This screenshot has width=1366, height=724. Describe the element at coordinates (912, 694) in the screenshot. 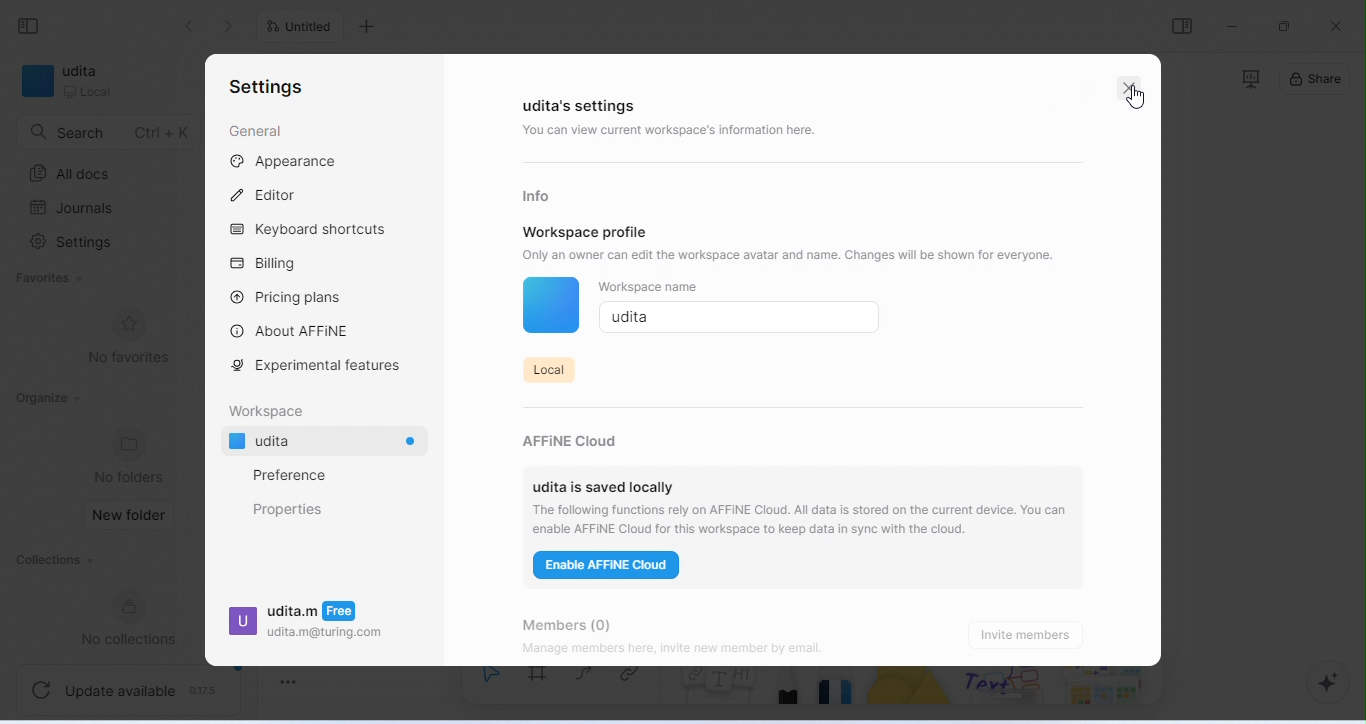

I see `shape` at that location.